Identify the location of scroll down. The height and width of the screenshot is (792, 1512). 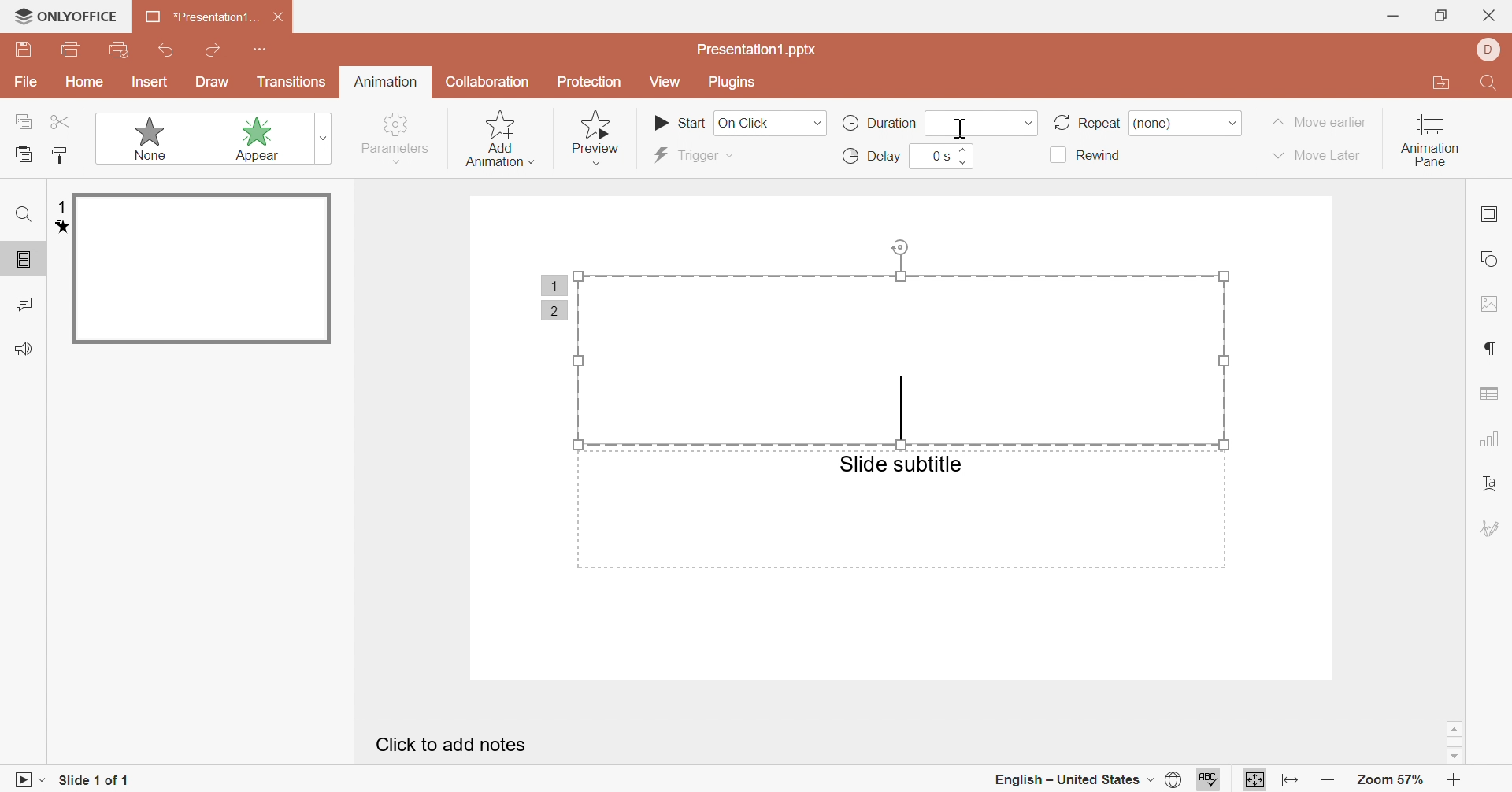
(1455, 757).